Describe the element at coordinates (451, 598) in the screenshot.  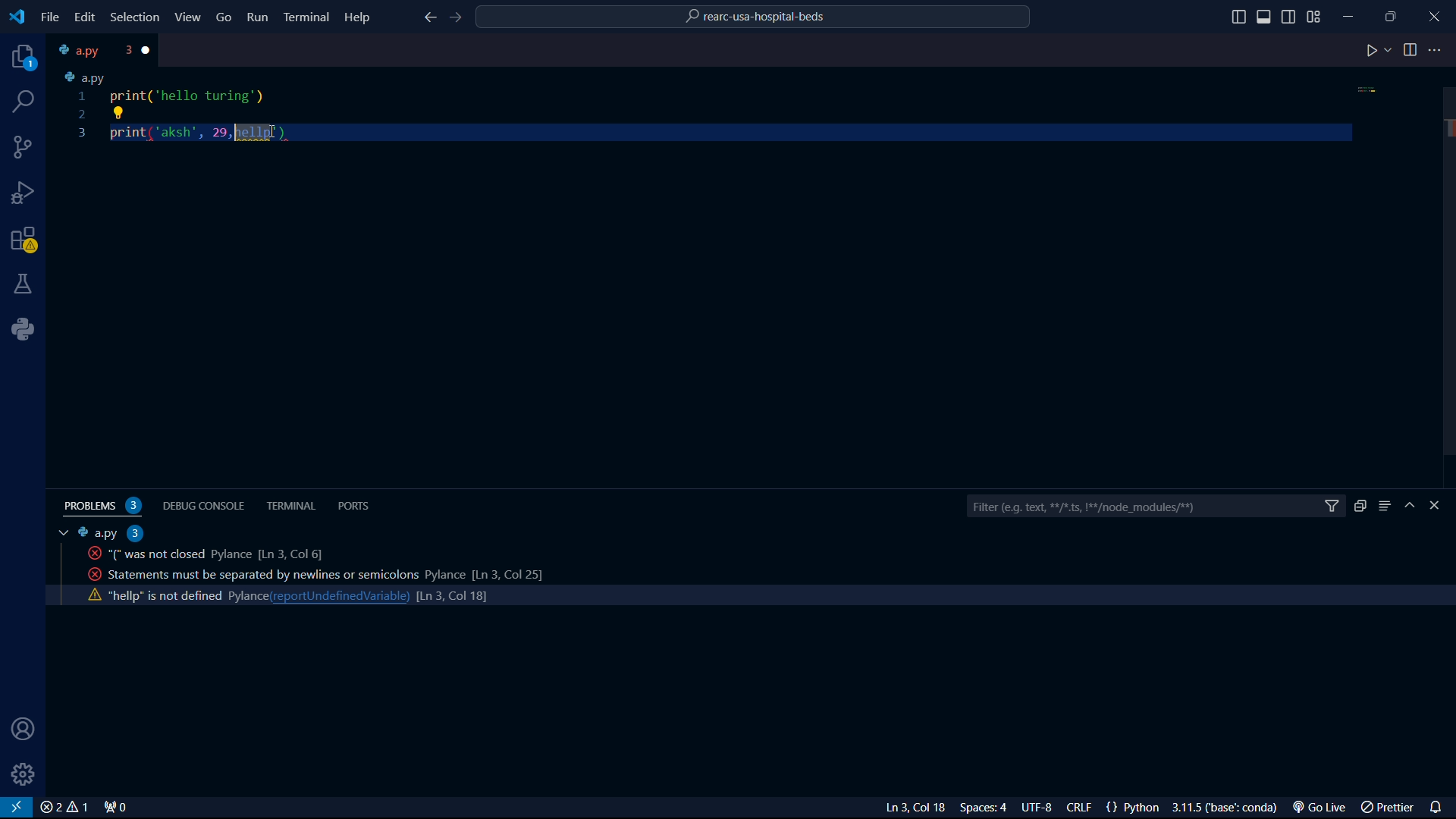
I see `line count` at that location.